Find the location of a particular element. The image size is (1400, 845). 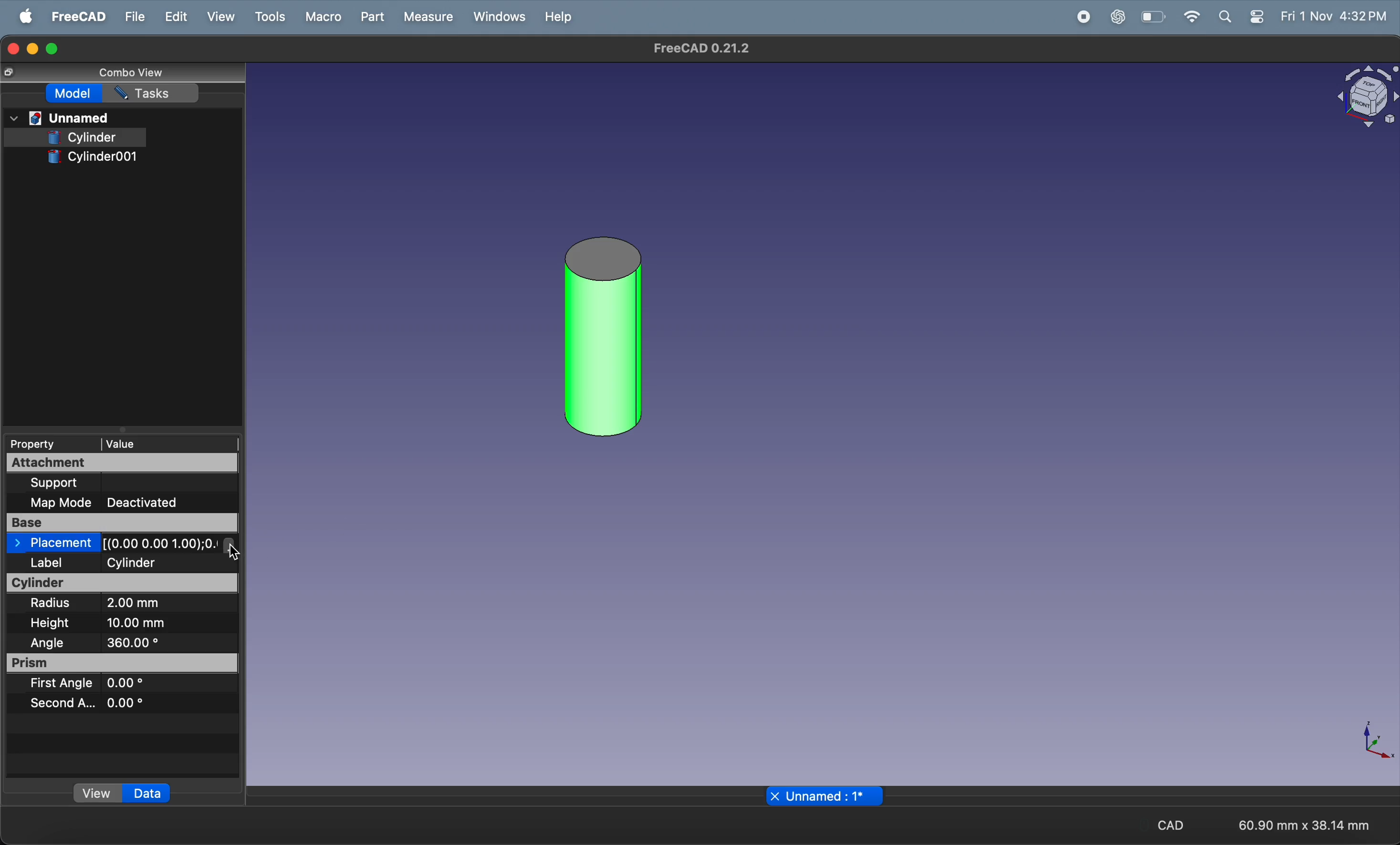

prism is located at coordinates (124, 663).